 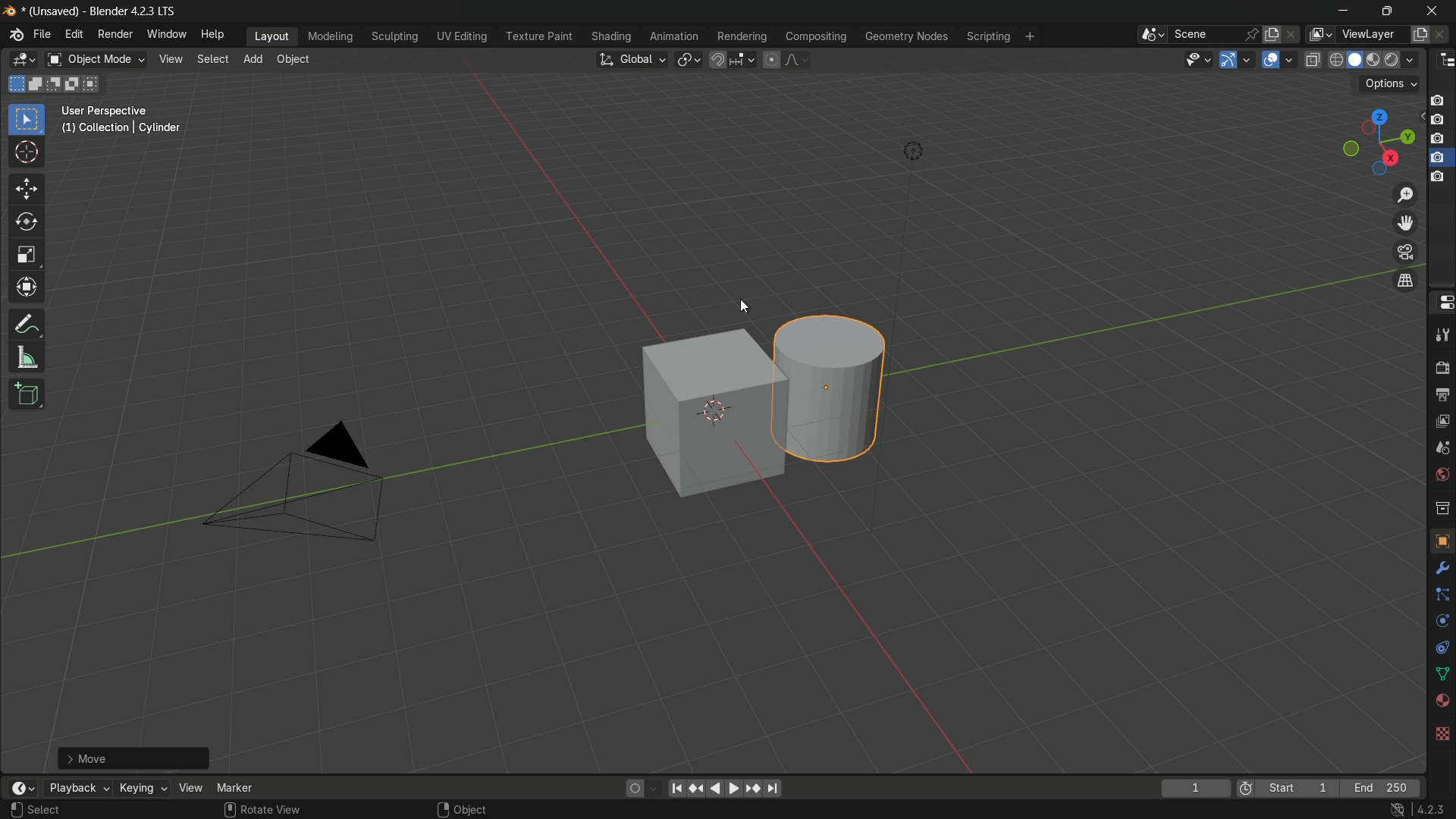 What do you see at coordinates (1405, 252) in the screenshot?
I see `toggle the camera view` at bounding box center [1405, 252].